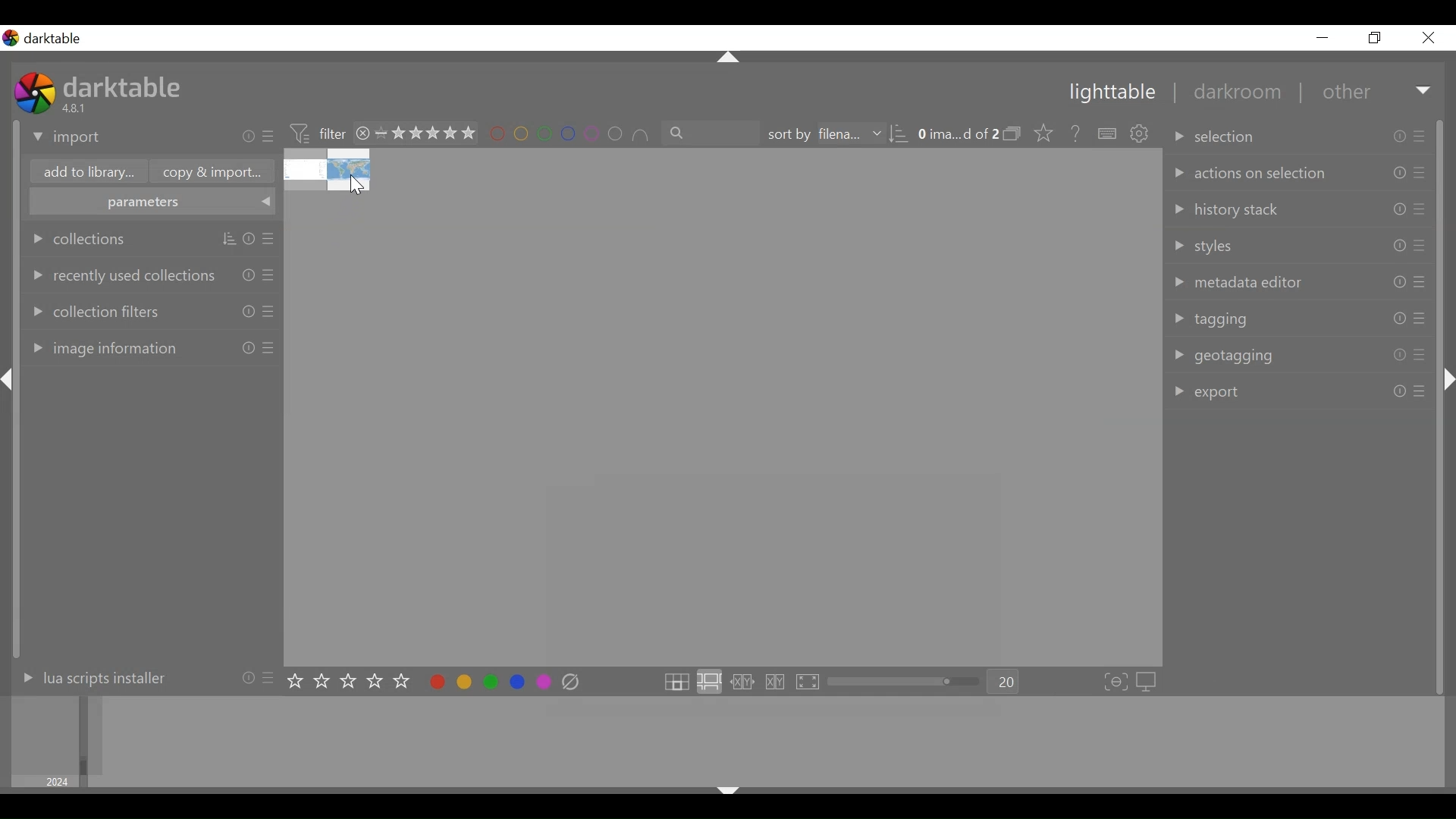 The height and width of the screenshot is (819, 1456). I want to click on set display profile, so click(1150, 682).